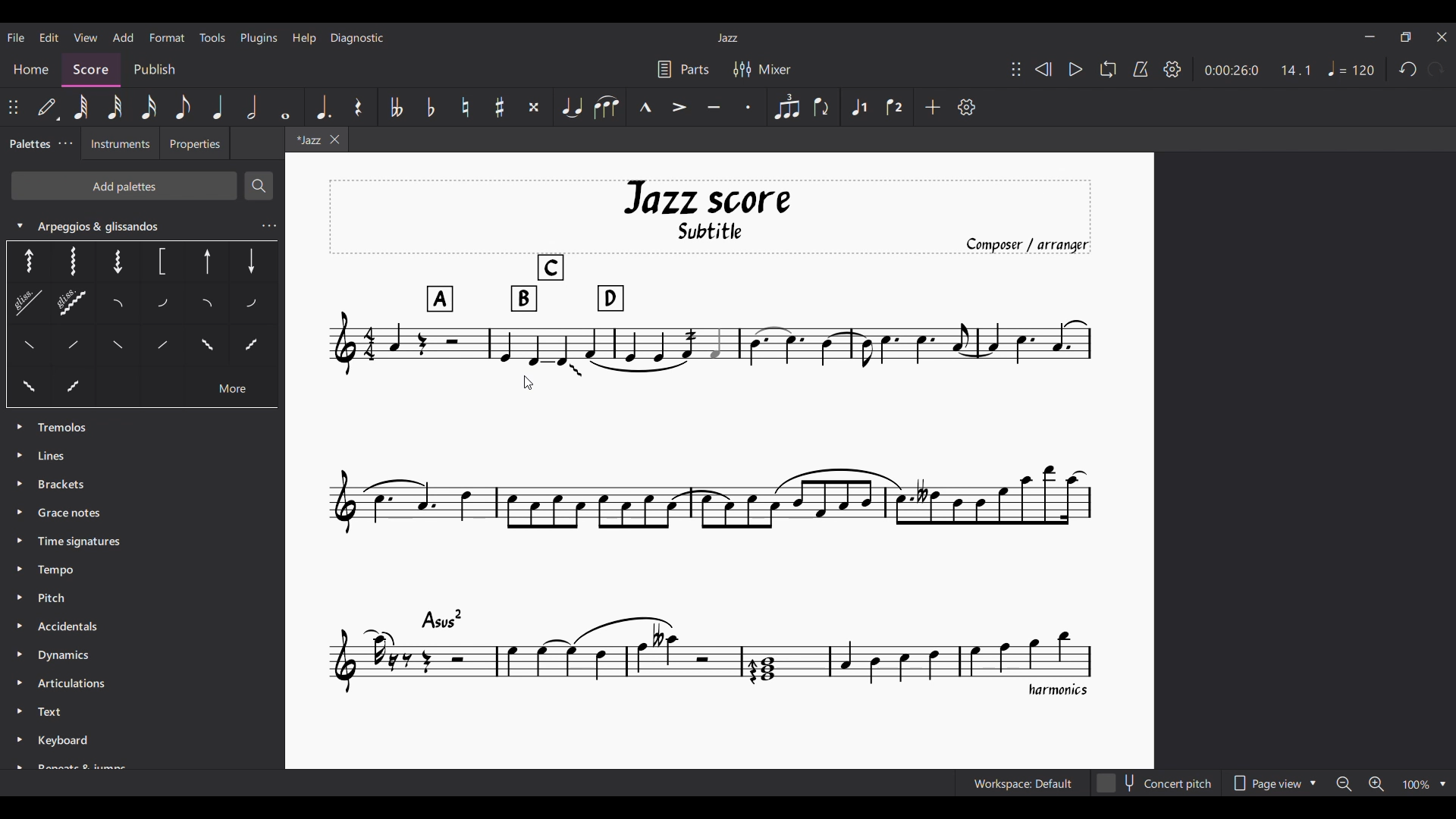 This screenshot has height=819, width=1456. What do you see at coordinates (534, 107) in the screenshot?
I see `Toggle double sharp` at bounding box center [534, 107].